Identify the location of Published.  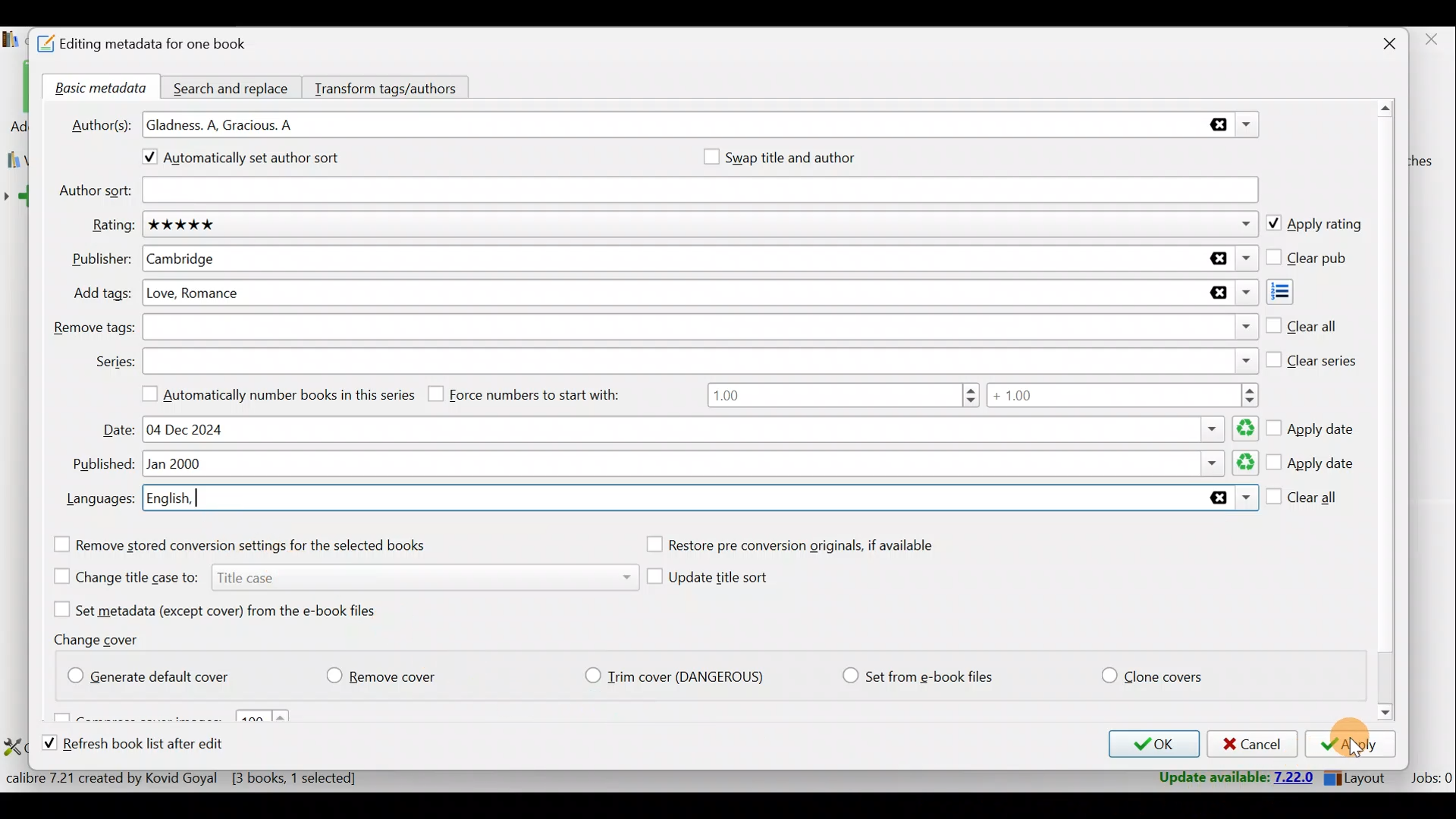
(701, 465).